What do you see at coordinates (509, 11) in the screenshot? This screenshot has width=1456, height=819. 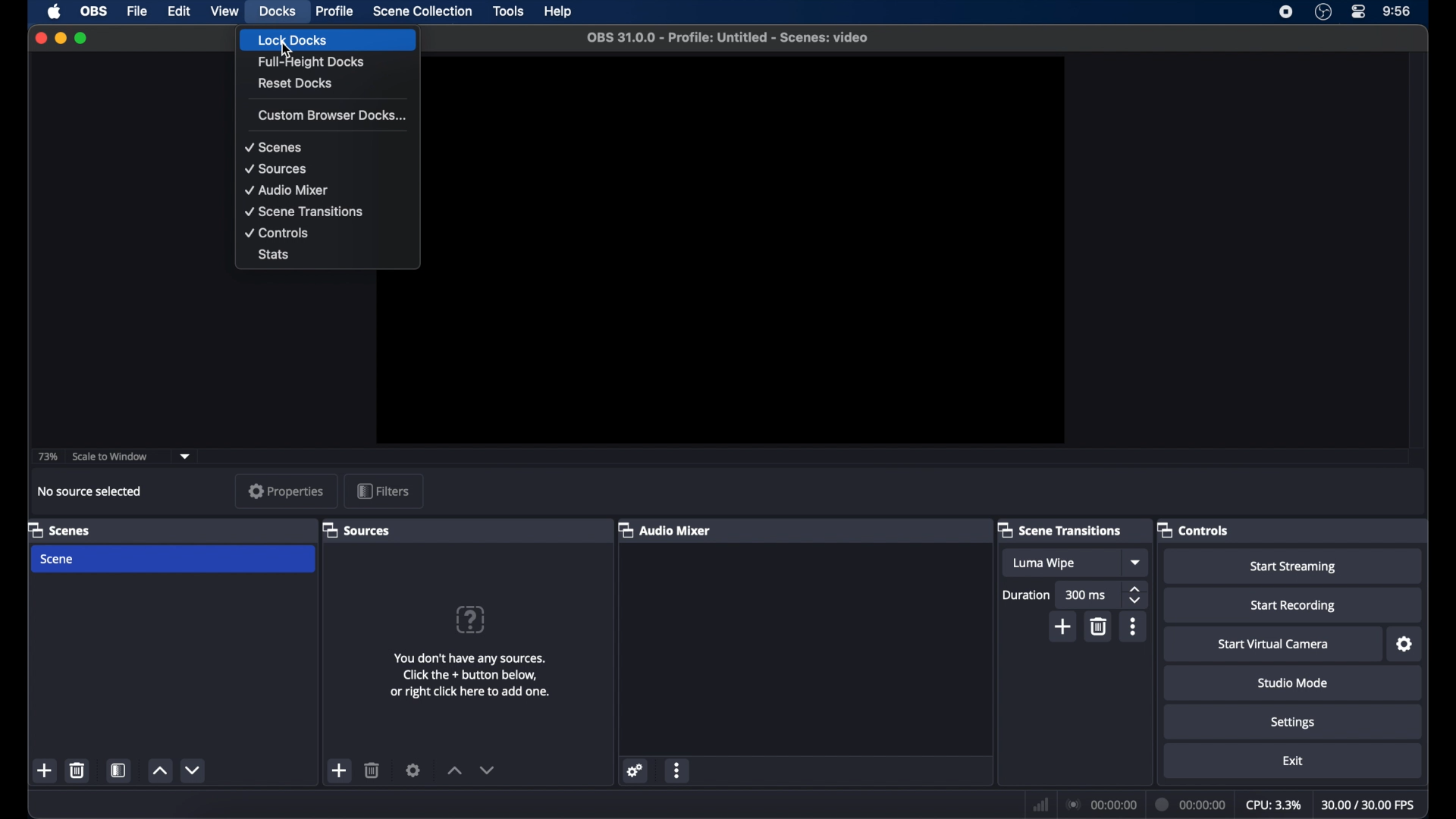 I see `tools` at bounding box center [509, 11].